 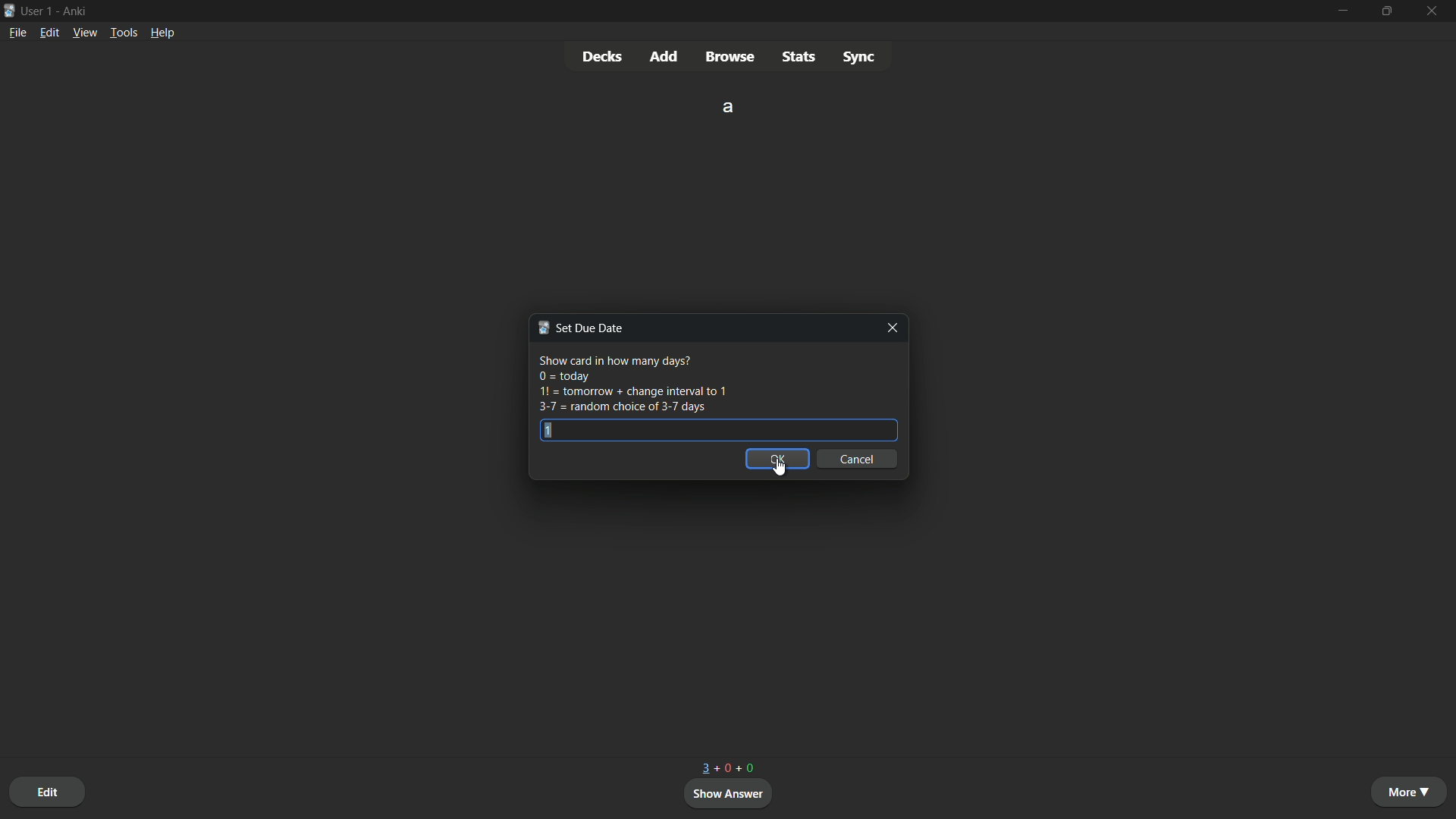 I want to click on edit menu, so click(x=49, y=32).